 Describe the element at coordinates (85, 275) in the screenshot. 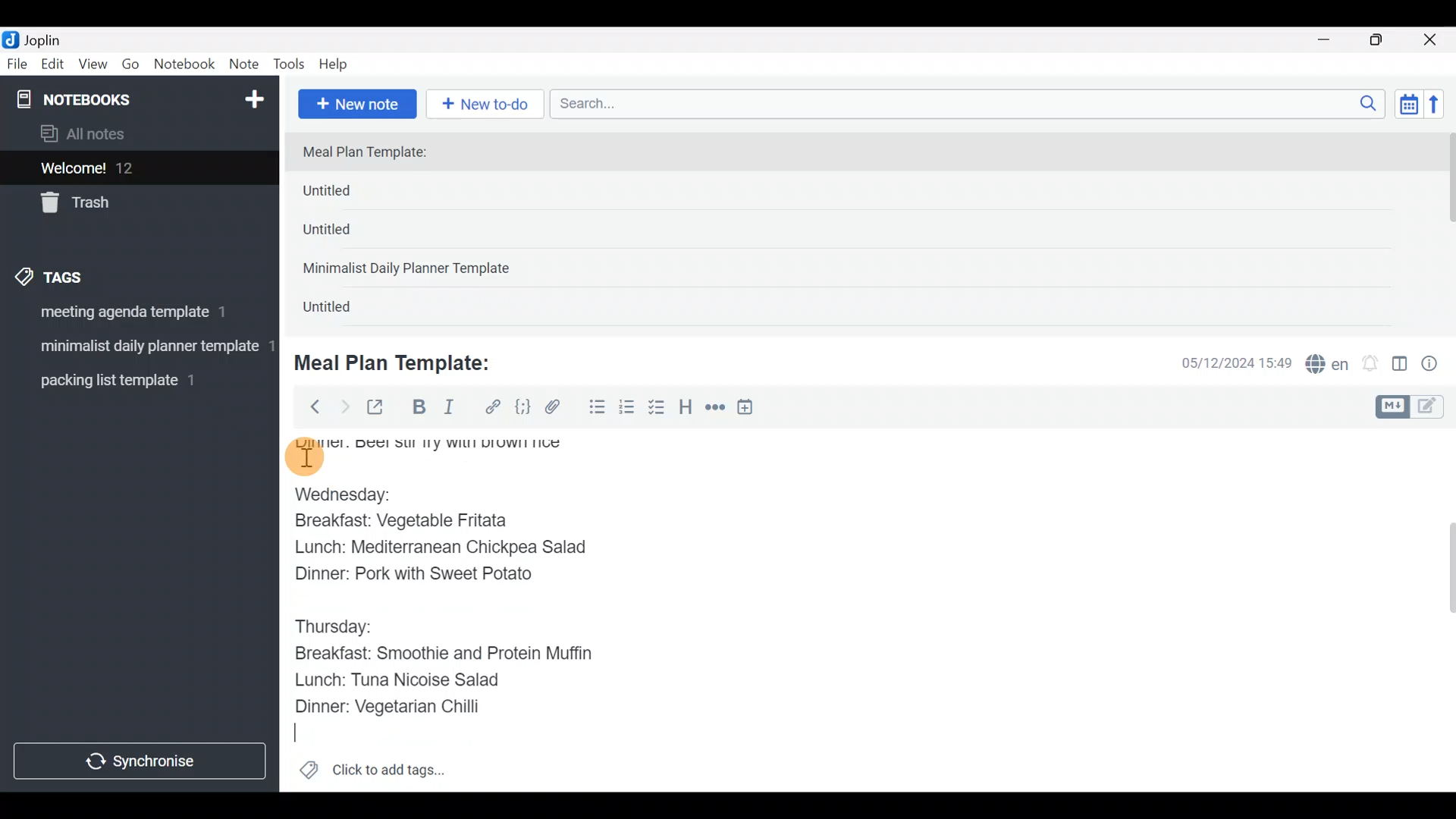

I see `Tags` at that location.